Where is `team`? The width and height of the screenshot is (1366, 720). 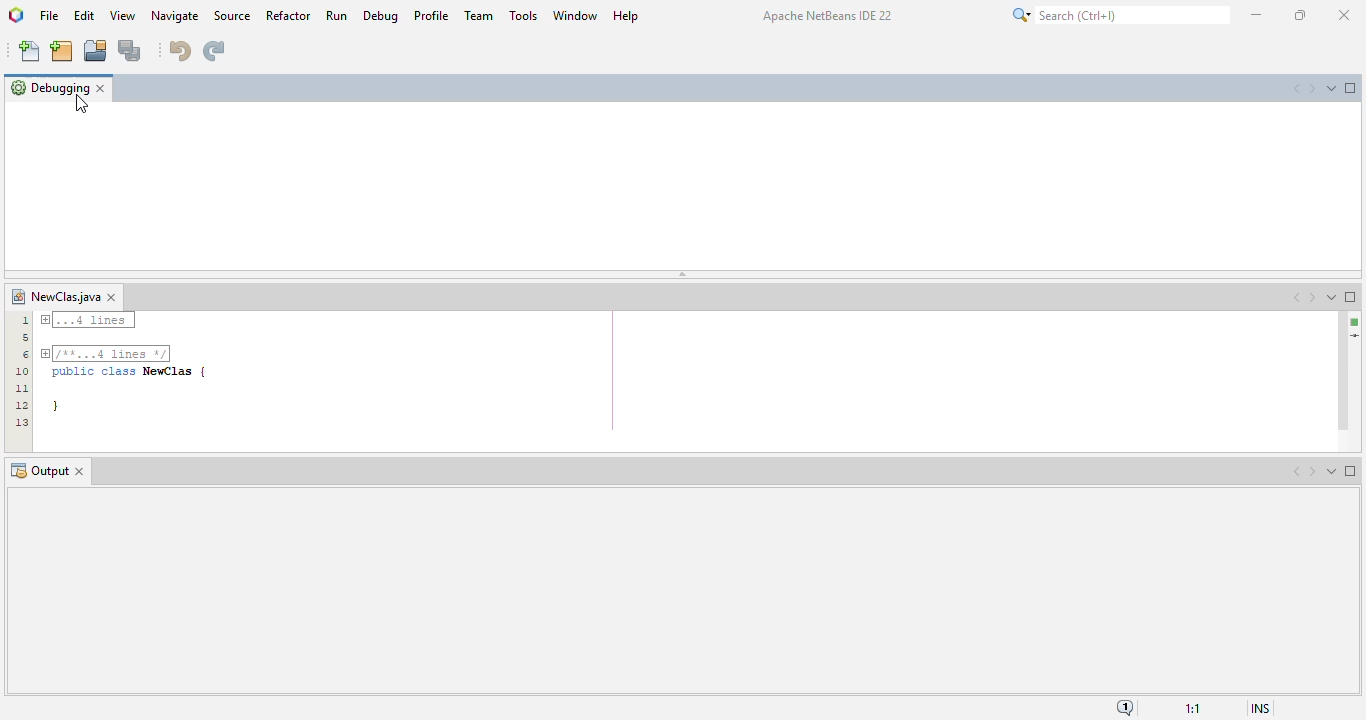 team is located at coordinates (480, 16).